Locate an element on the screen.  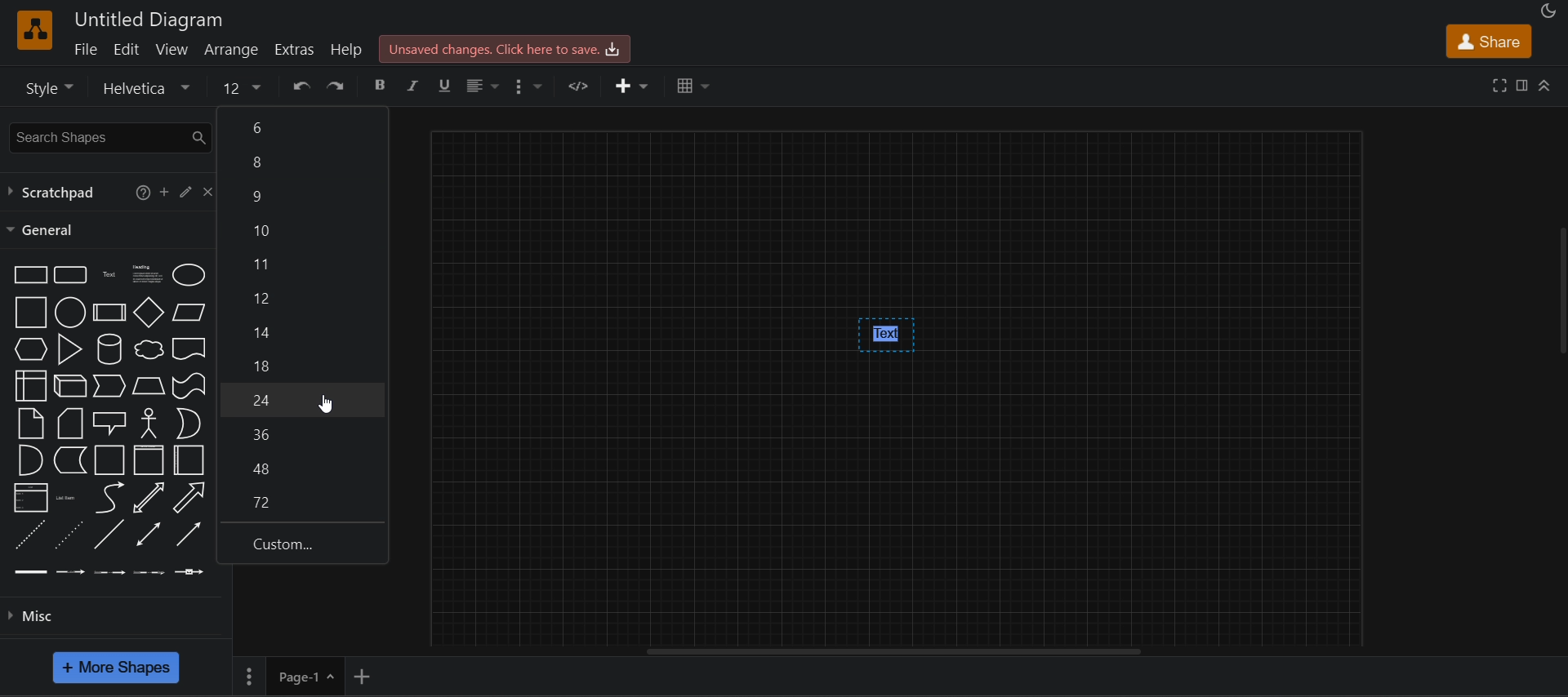
Connector with labels is located at coordinates (70, 571).